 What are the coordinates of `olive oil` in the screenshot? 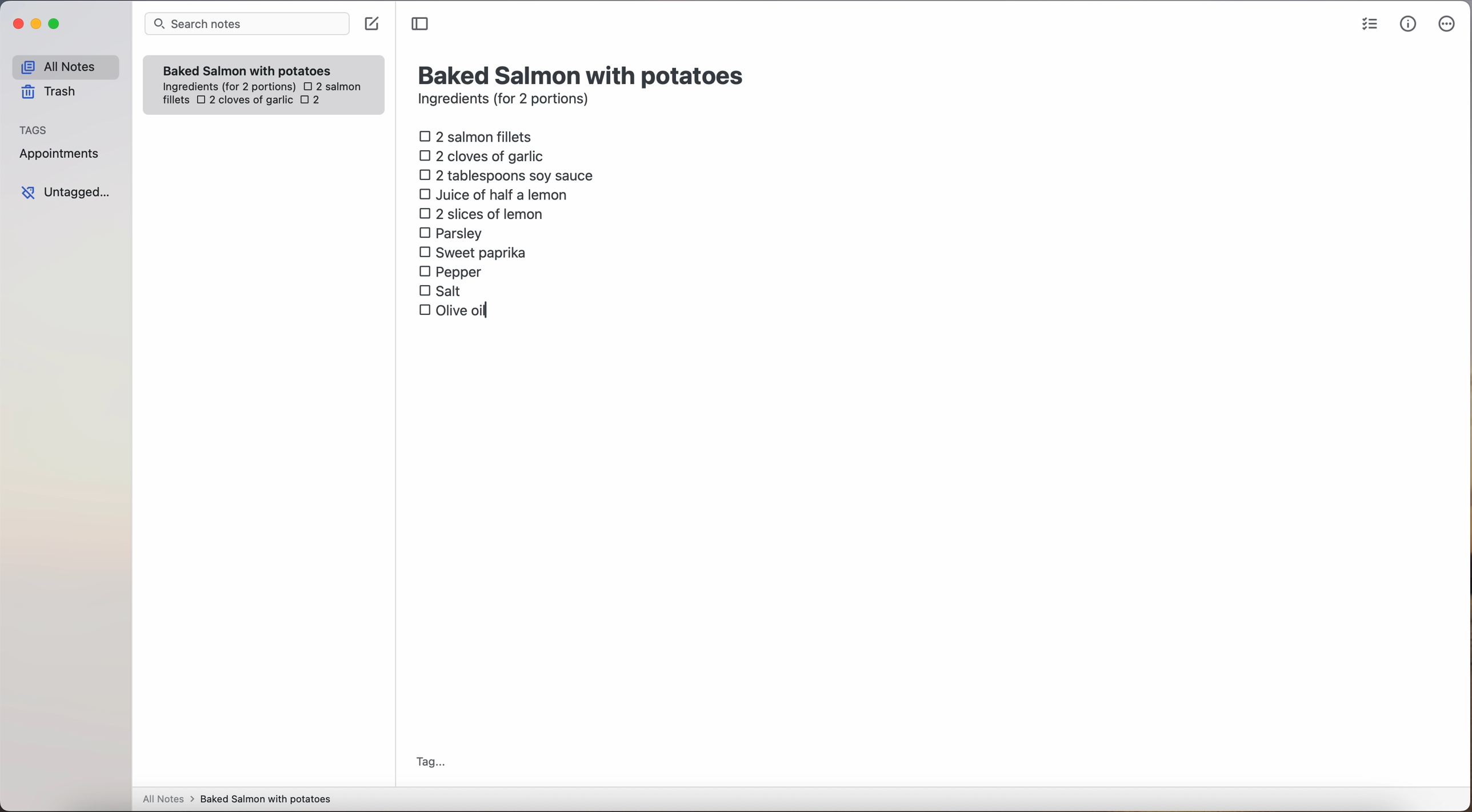 It's located at (456, 311).